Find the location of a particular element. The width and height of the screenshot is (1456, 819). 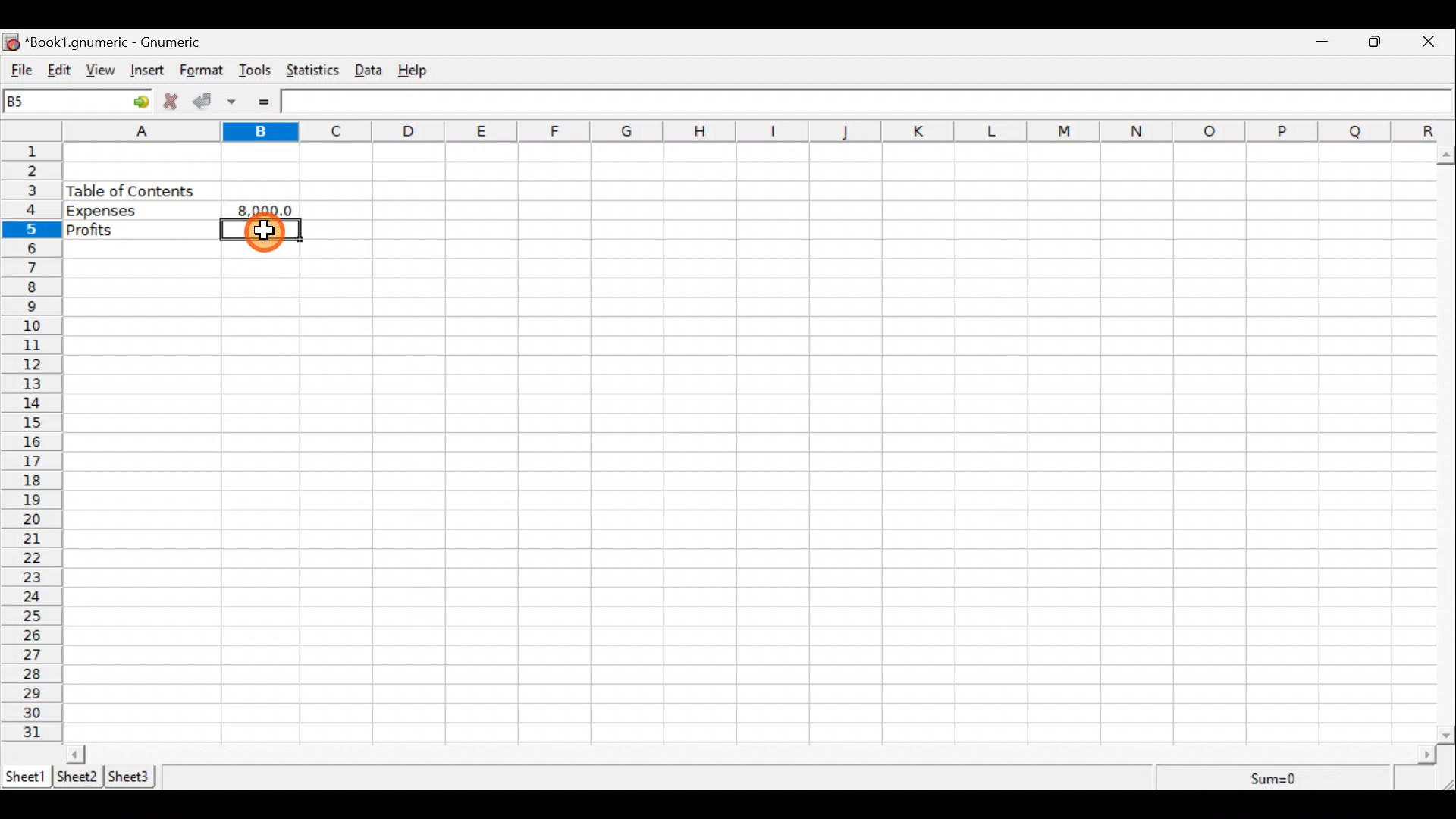

numbering column is located at coordinates (30, 444).